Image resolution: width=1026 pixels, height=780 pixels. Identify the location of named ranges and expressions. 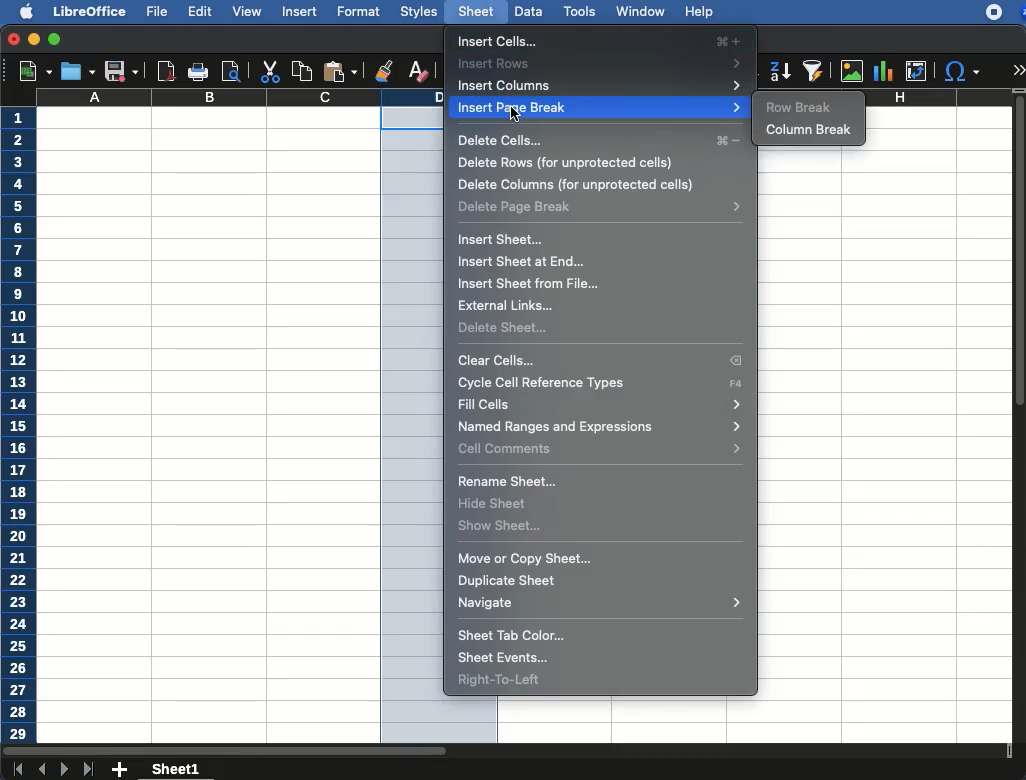
(600, 427).